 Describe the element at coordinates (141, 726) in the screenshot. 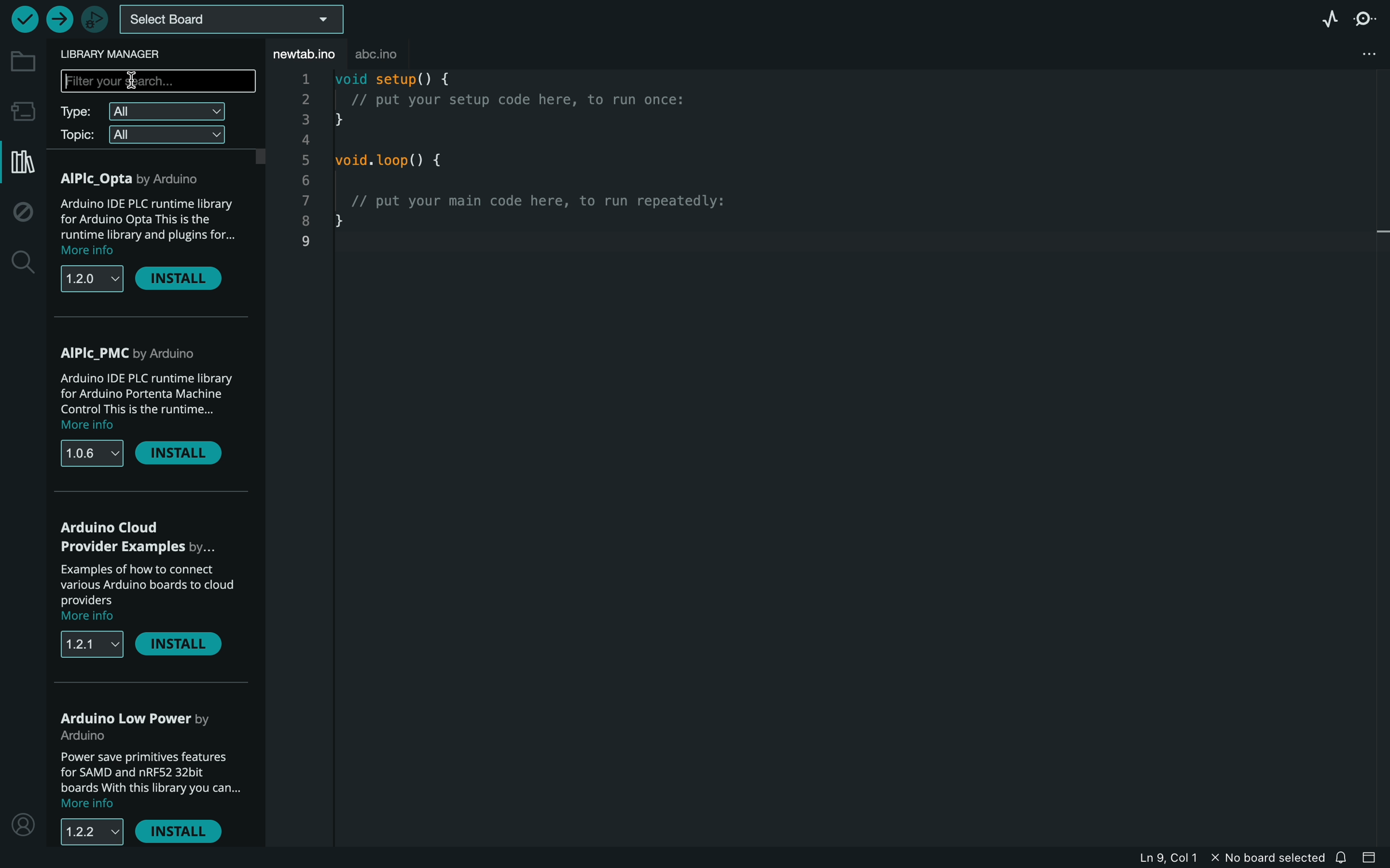

I see `Arduino Low Power` at that location.